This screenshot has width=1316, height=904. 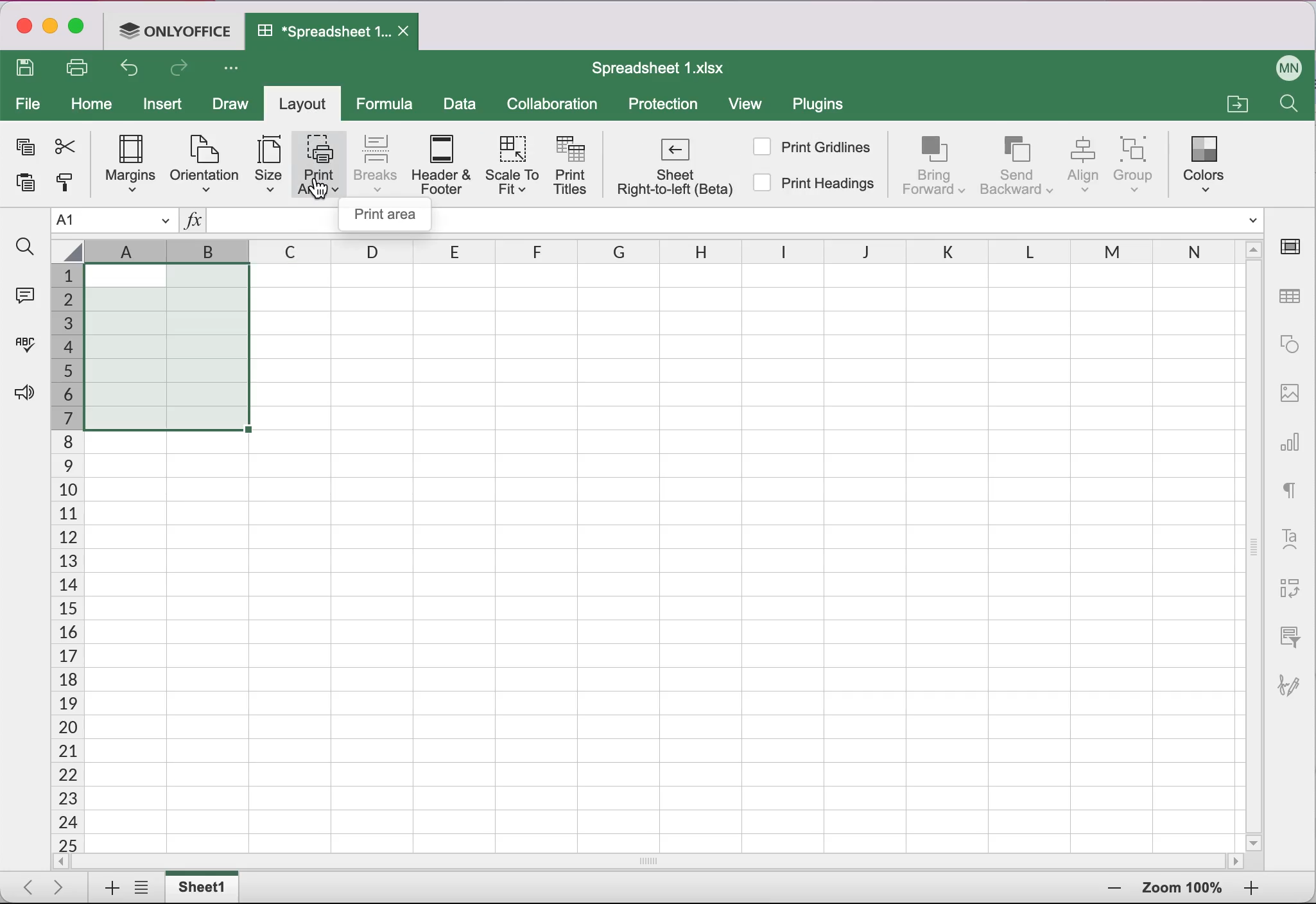 I want to click on selected cells, so click(x=165, y=346).